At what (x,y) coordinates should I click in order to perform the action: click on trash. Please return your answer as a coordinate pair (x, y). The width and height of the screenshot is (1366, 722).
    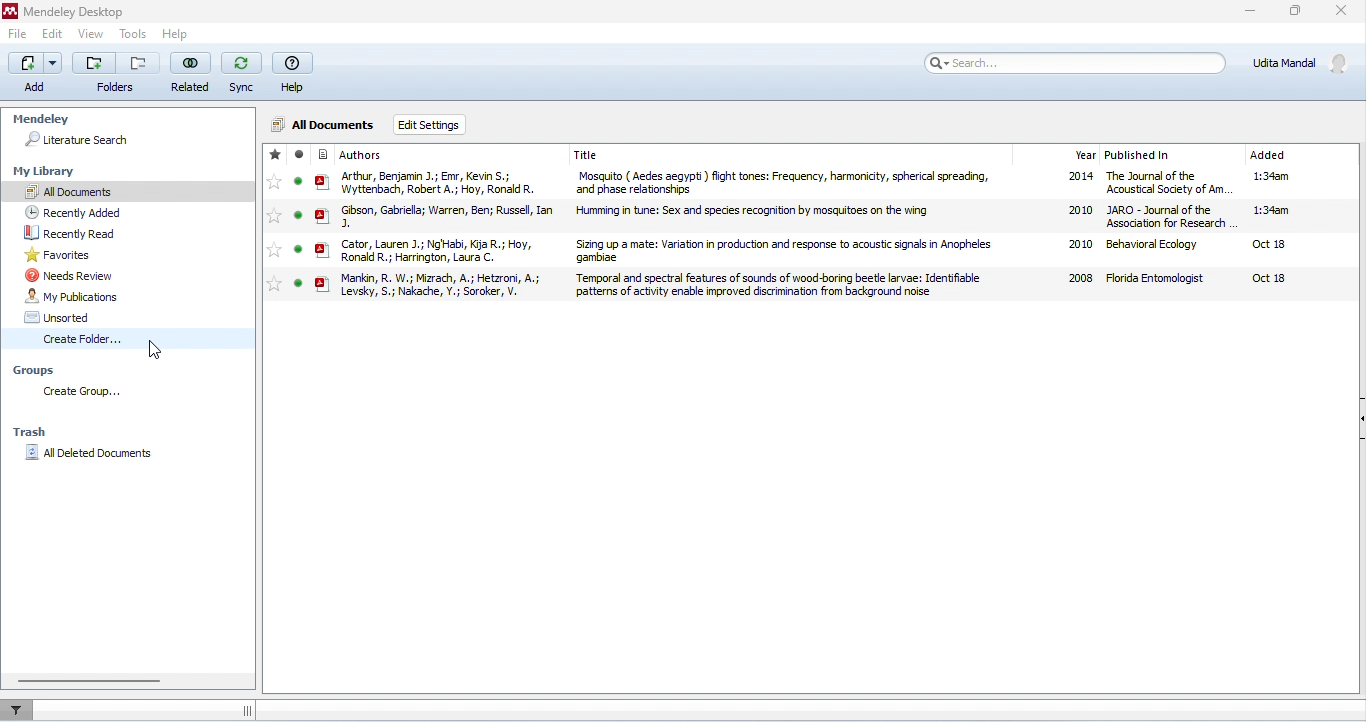
    Looking at the image, I should click on (33, 432).